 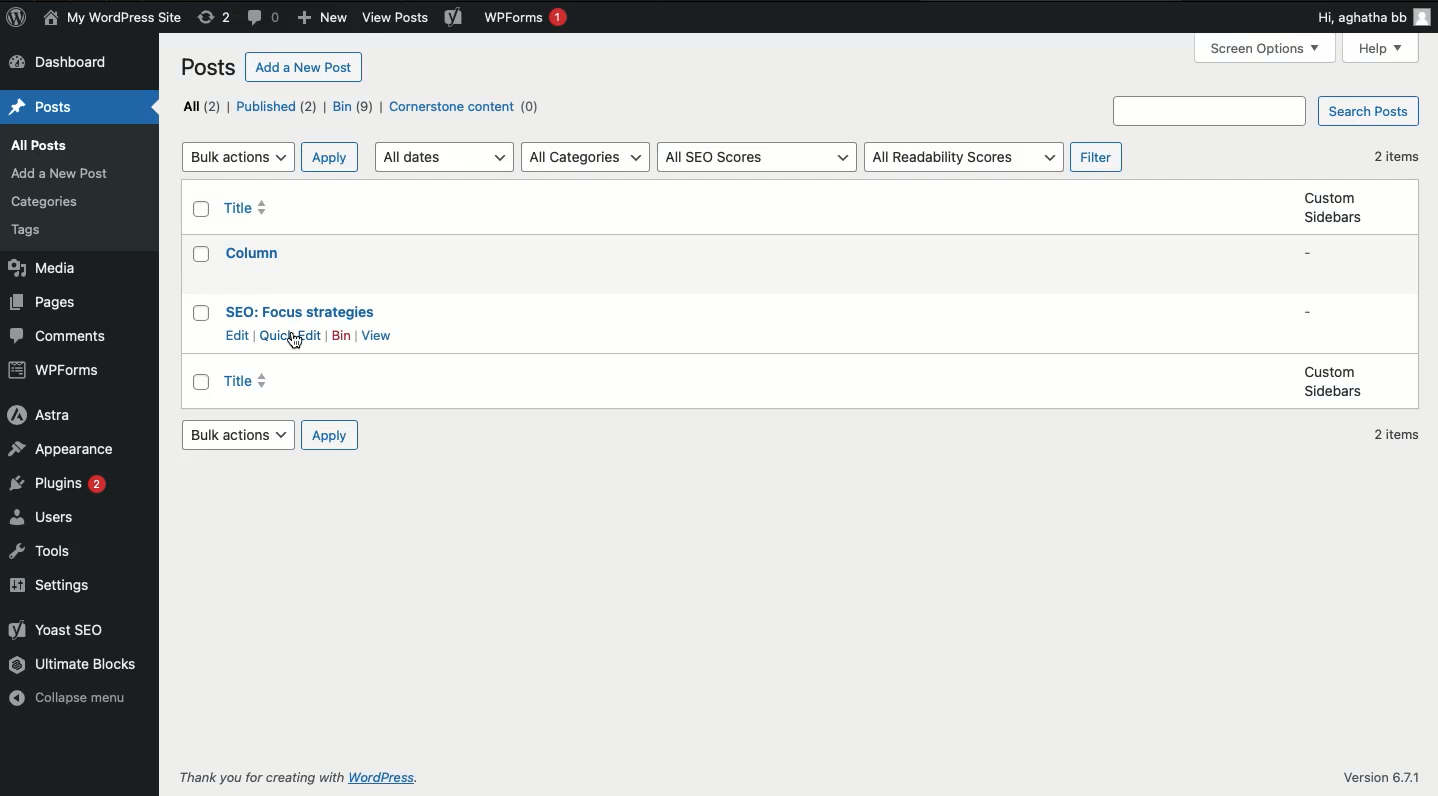 What do you see at coordinates (1099, 158) in the screenshot?
I see `Filter` at bounding box center [1099, 158].